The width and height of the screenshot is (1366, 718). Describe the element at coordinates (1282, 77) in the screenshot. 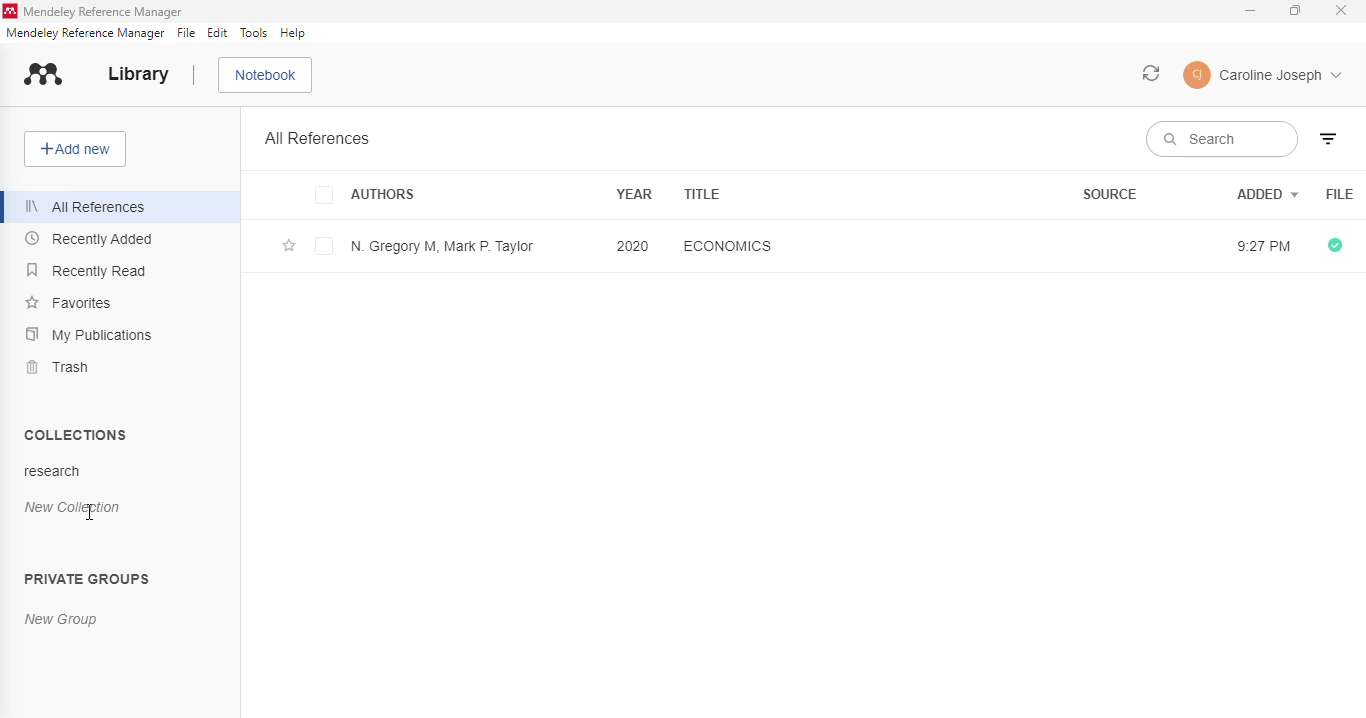

I see `Caroline Joseph` at that location.